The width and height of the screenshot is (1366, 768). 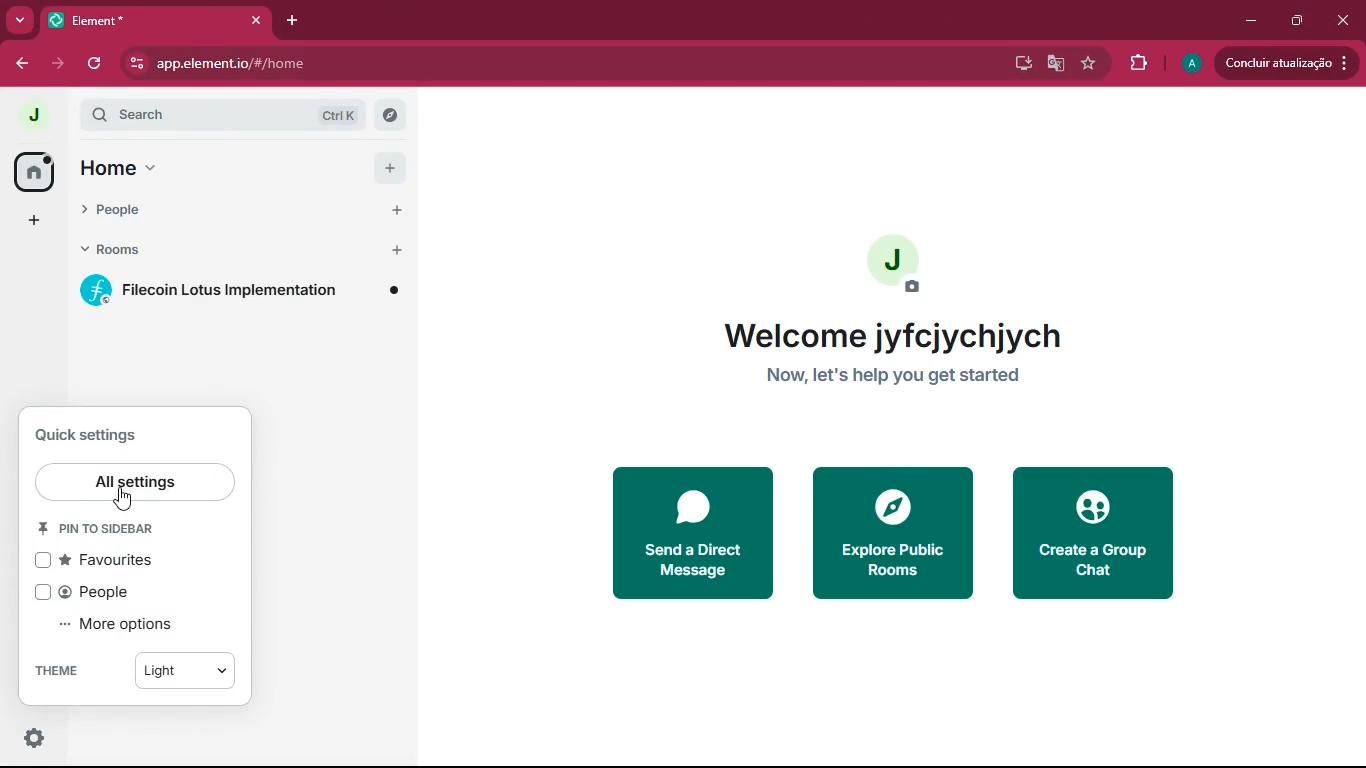 What do you see at coordinates (140, 19) in the screenshot?
I see `Element*` at bounding box center [140, 19].